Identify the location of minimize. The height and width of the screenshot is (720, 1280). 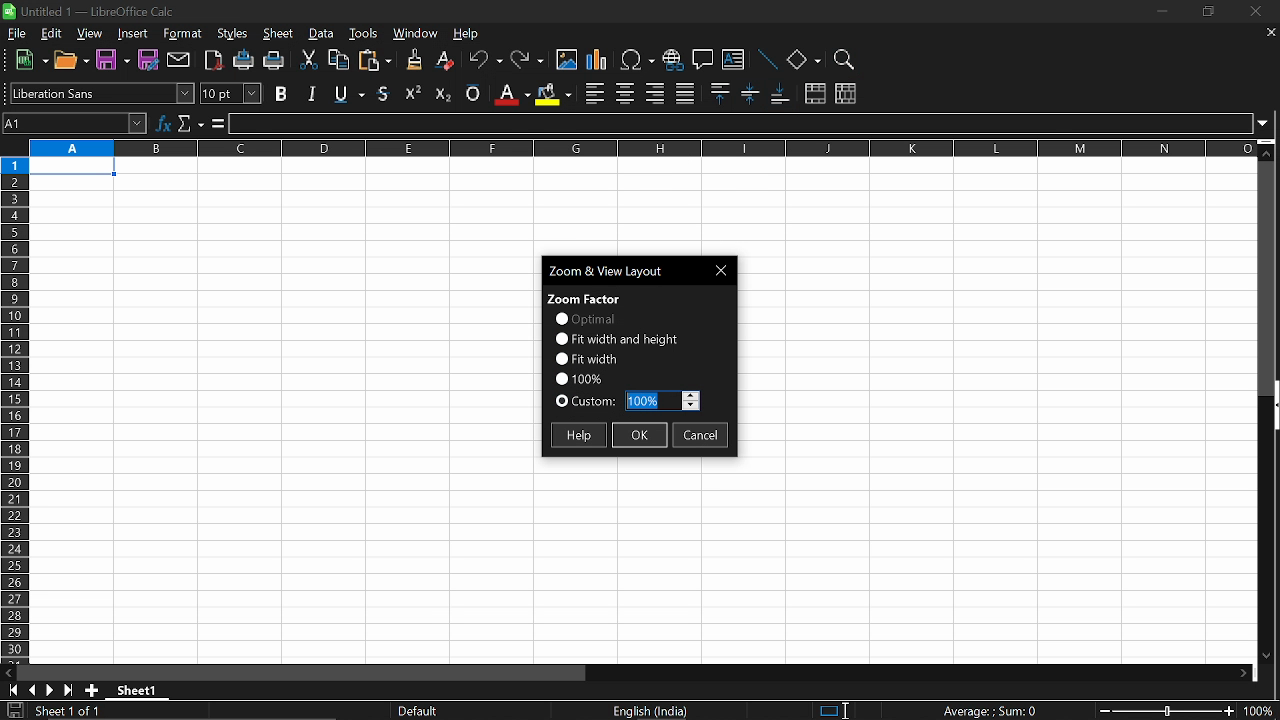
(1160, 11).